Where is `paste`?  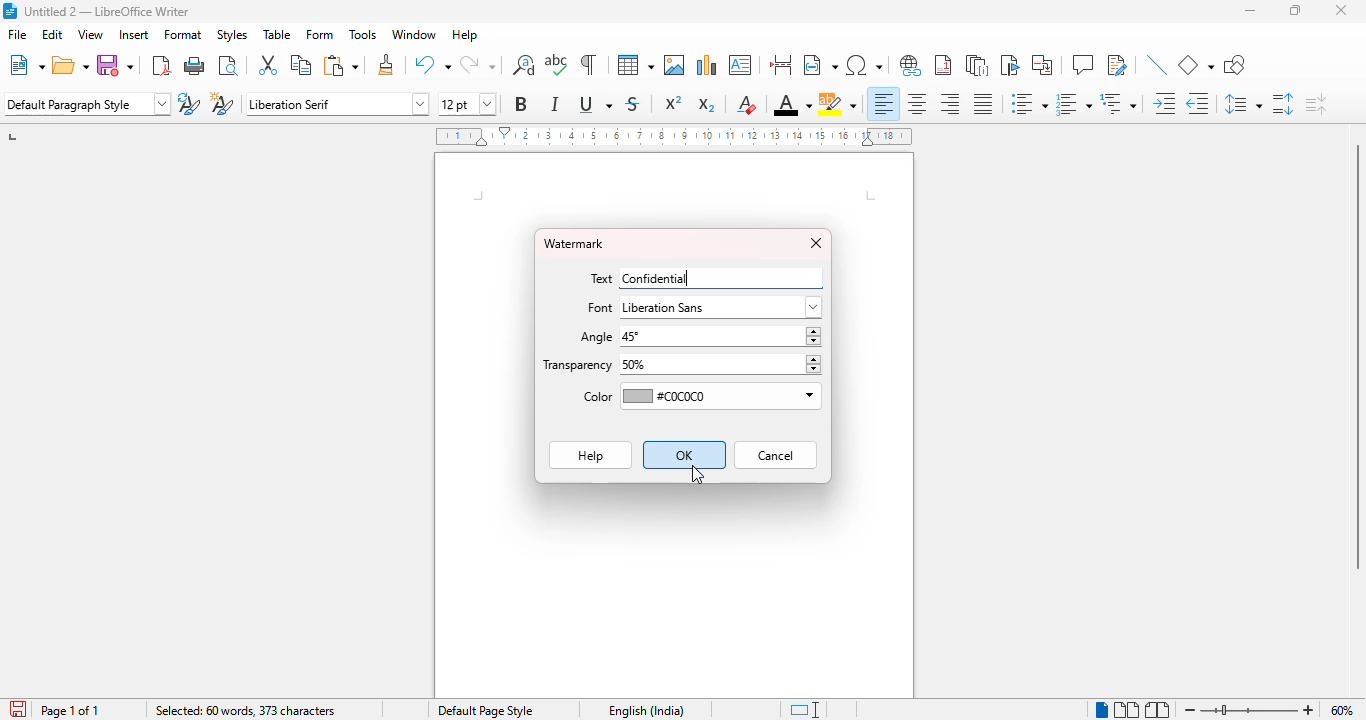 paste is located at coordinates (342, 65).